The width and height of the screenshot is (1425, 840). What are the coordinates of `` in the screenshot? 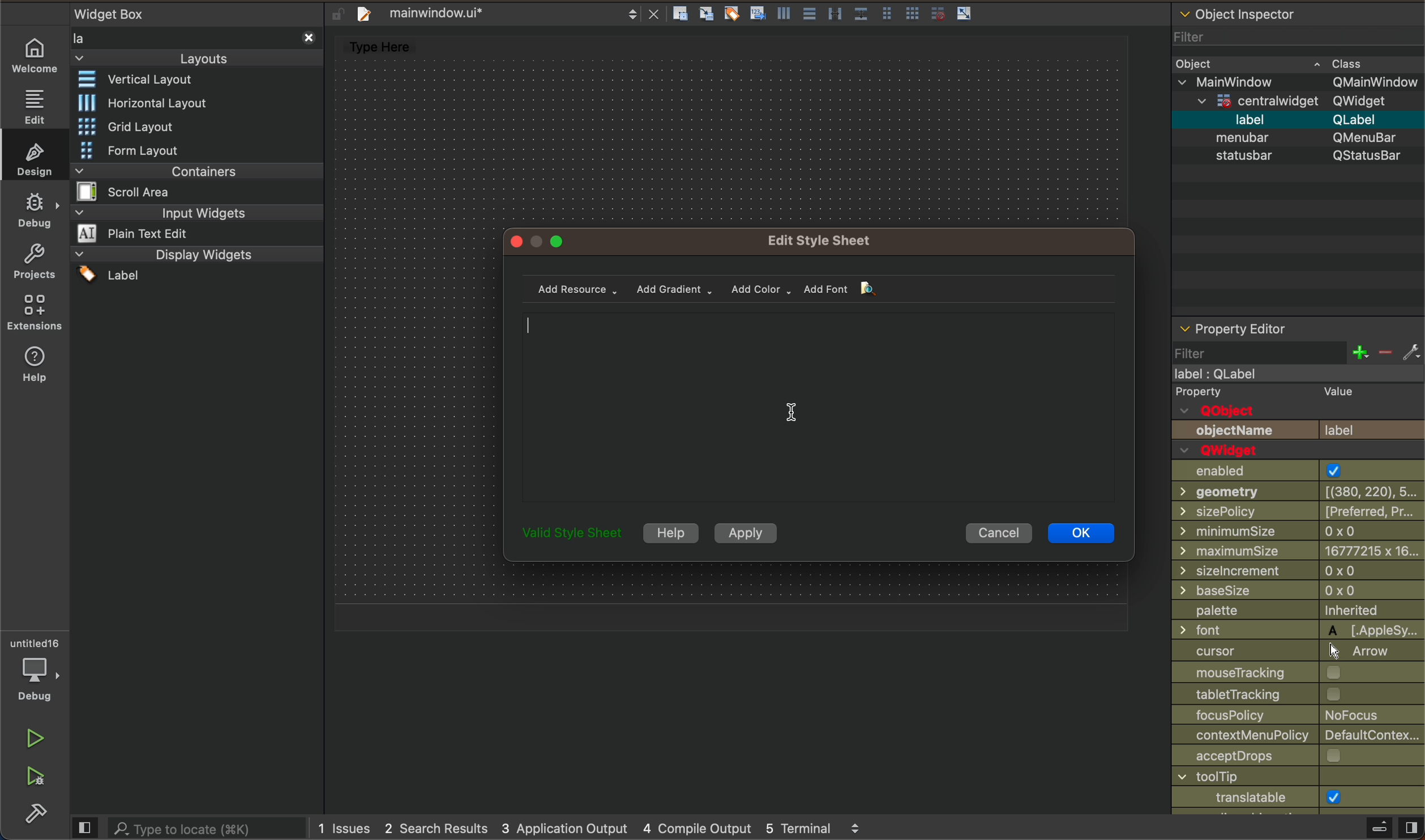 It's located at (1298, 591).